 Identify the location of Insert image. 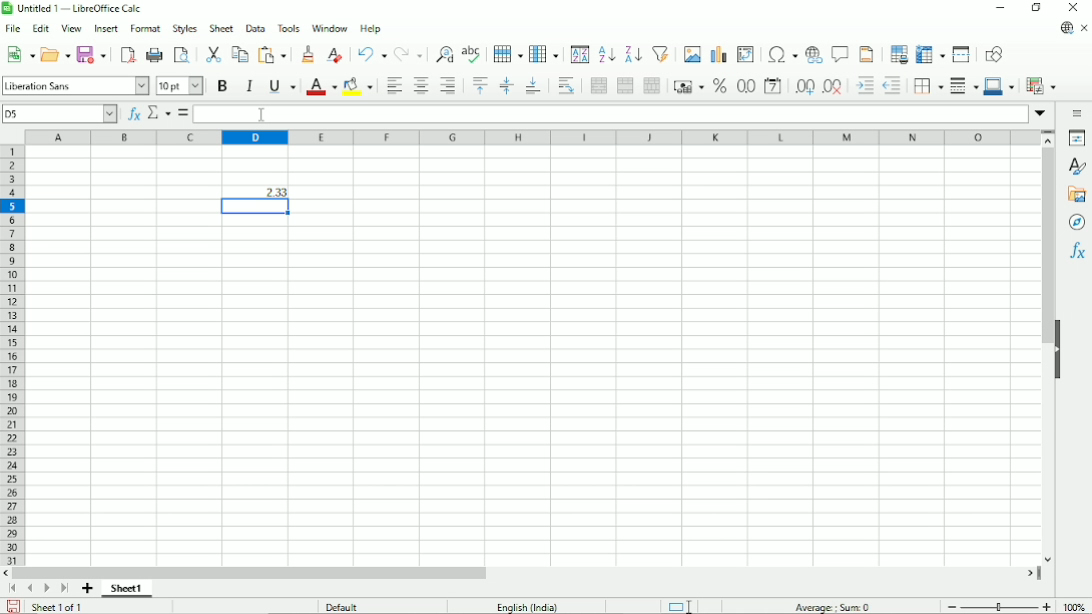
(692, 53).